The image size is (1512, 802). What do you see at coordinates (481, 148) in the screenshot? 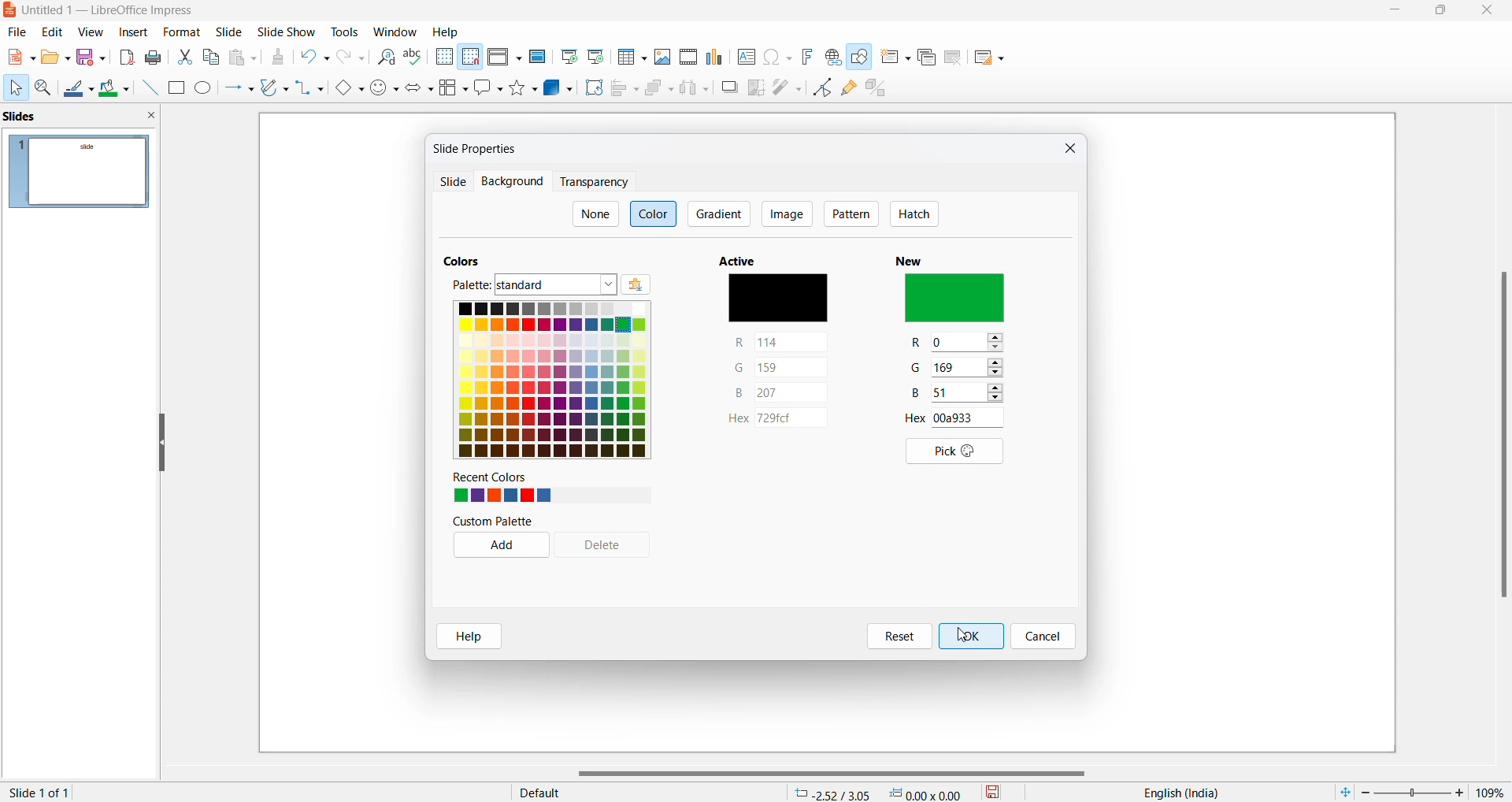
I see `dialog box heading` at bounding box center [481, 148].